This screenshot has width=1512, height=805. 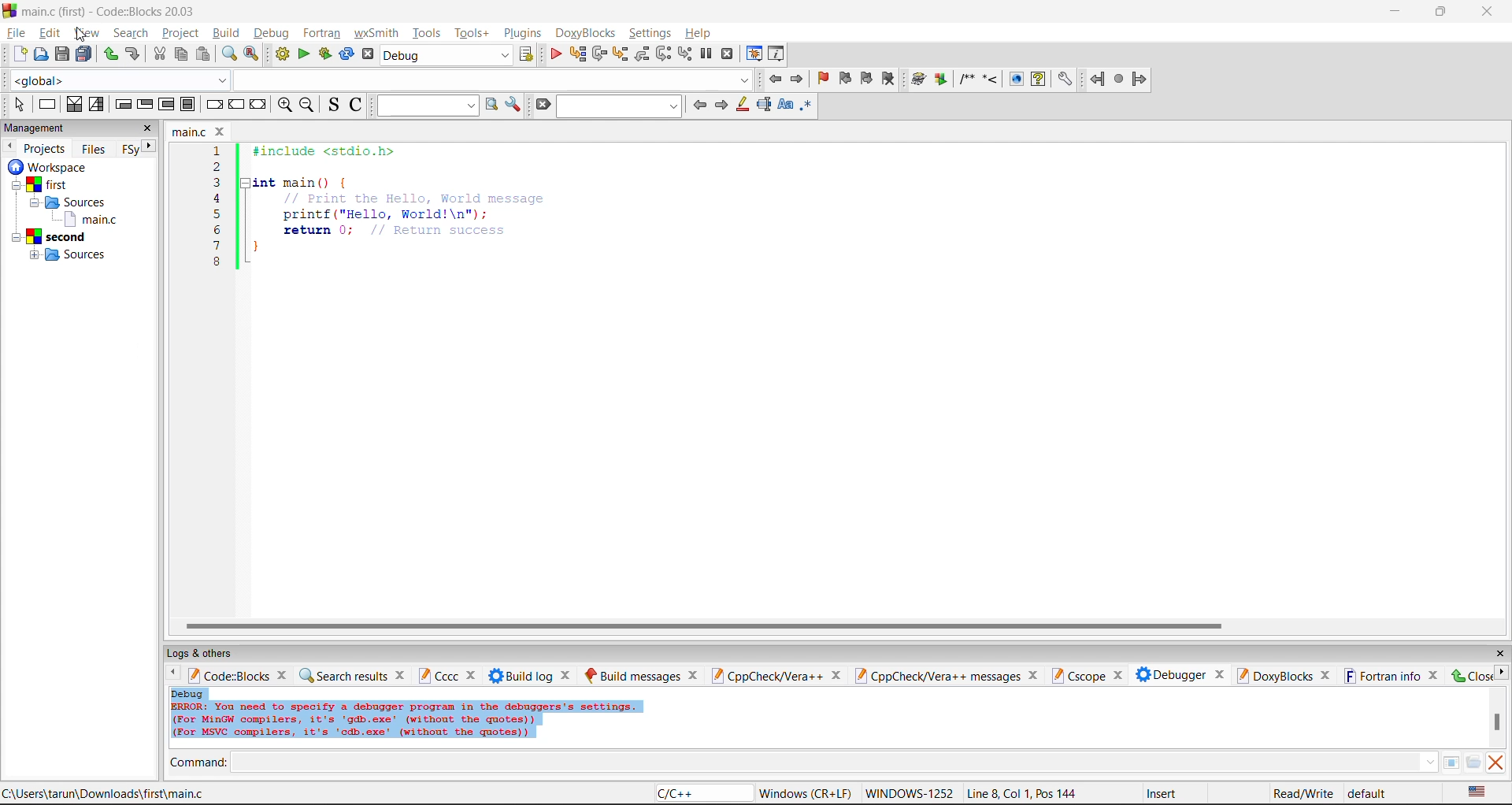 What do you see at coordinates (775, 78) in the screenshot?
I see `jump back` at bounding box center [775, 78].